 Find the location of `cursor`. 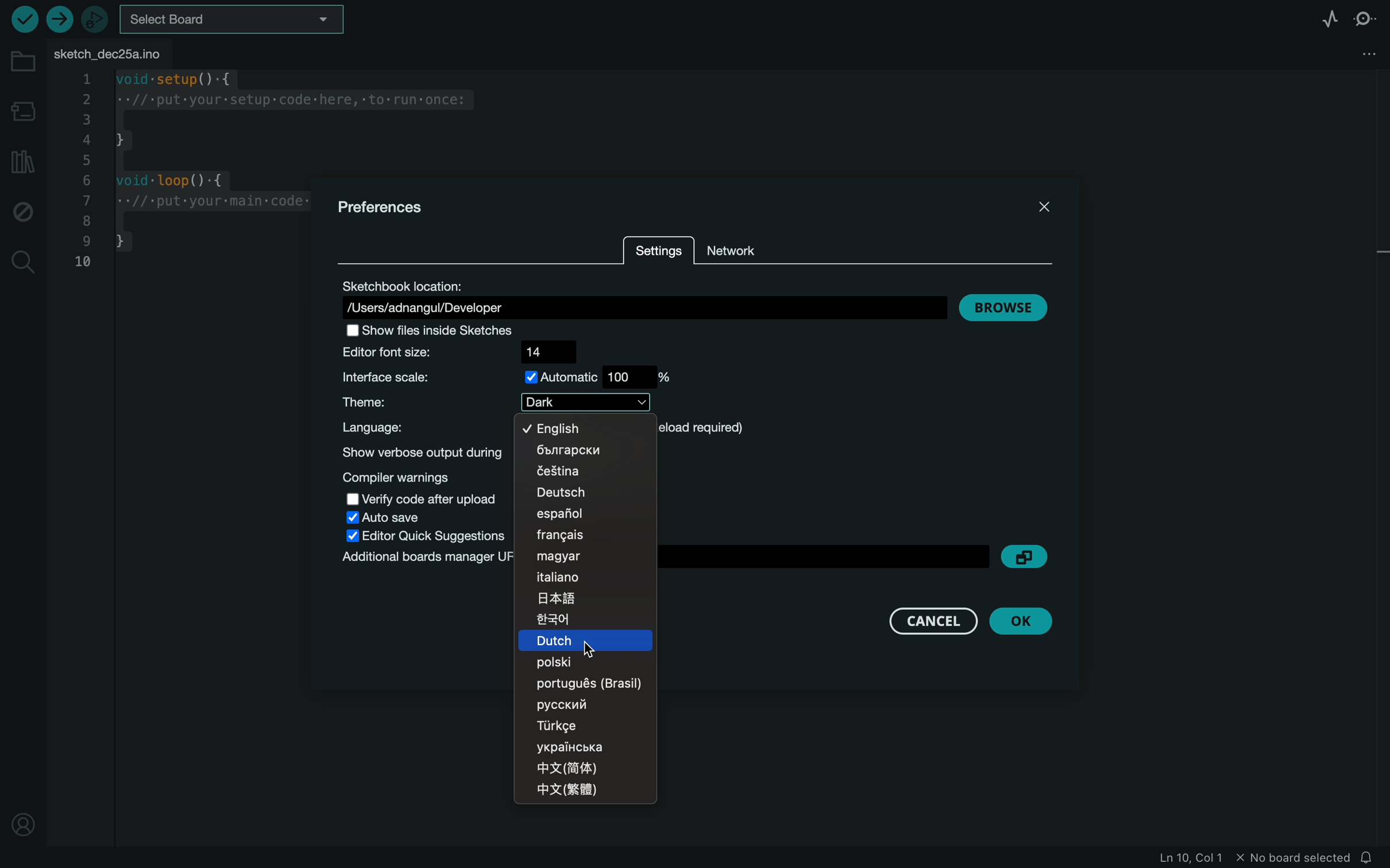

cursor is located at coordinates (585, 644).